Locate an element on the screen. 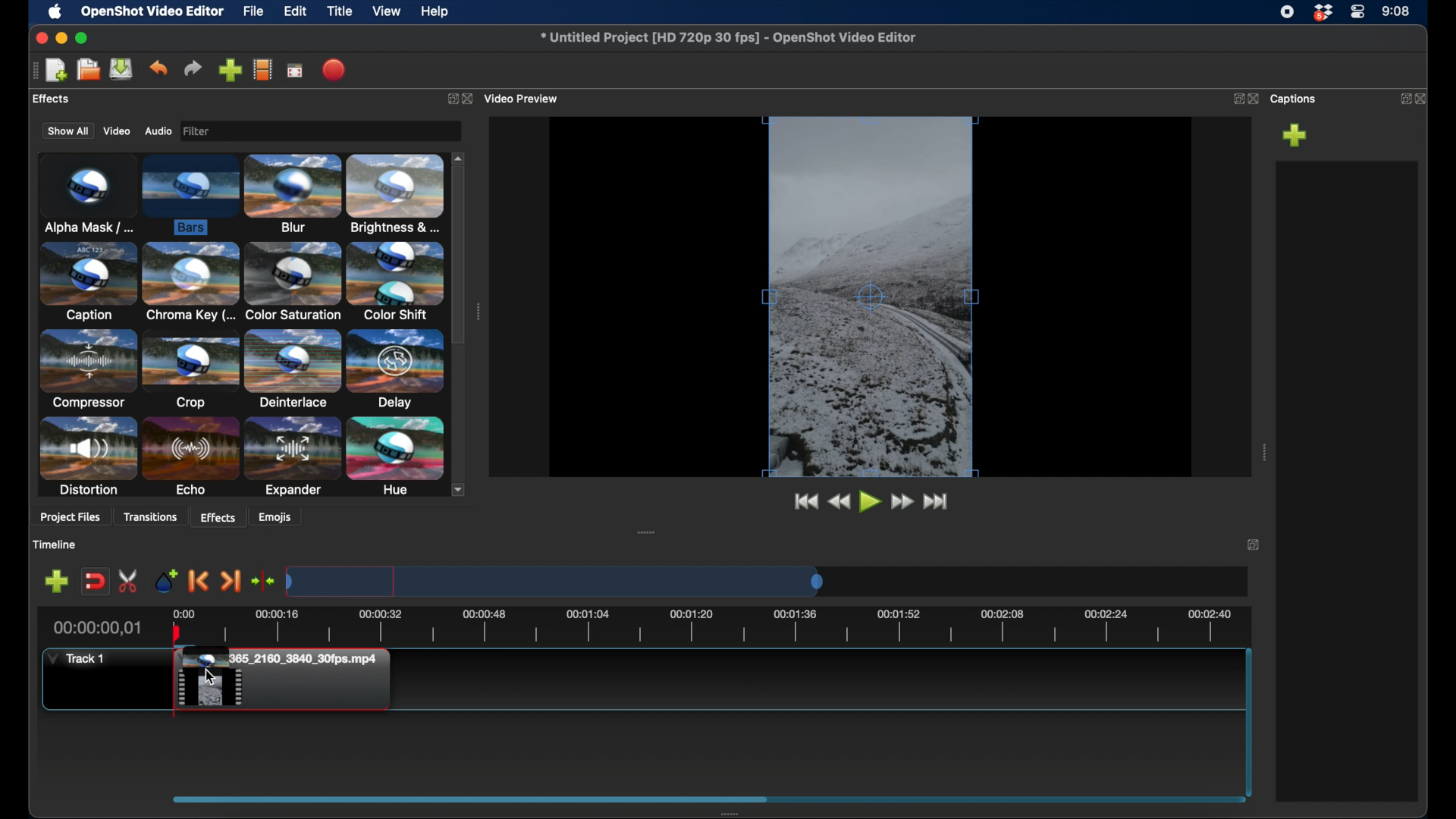 The width and height of the screenshot is (1456, 819). previous marker is located at coordinates (199, 582).